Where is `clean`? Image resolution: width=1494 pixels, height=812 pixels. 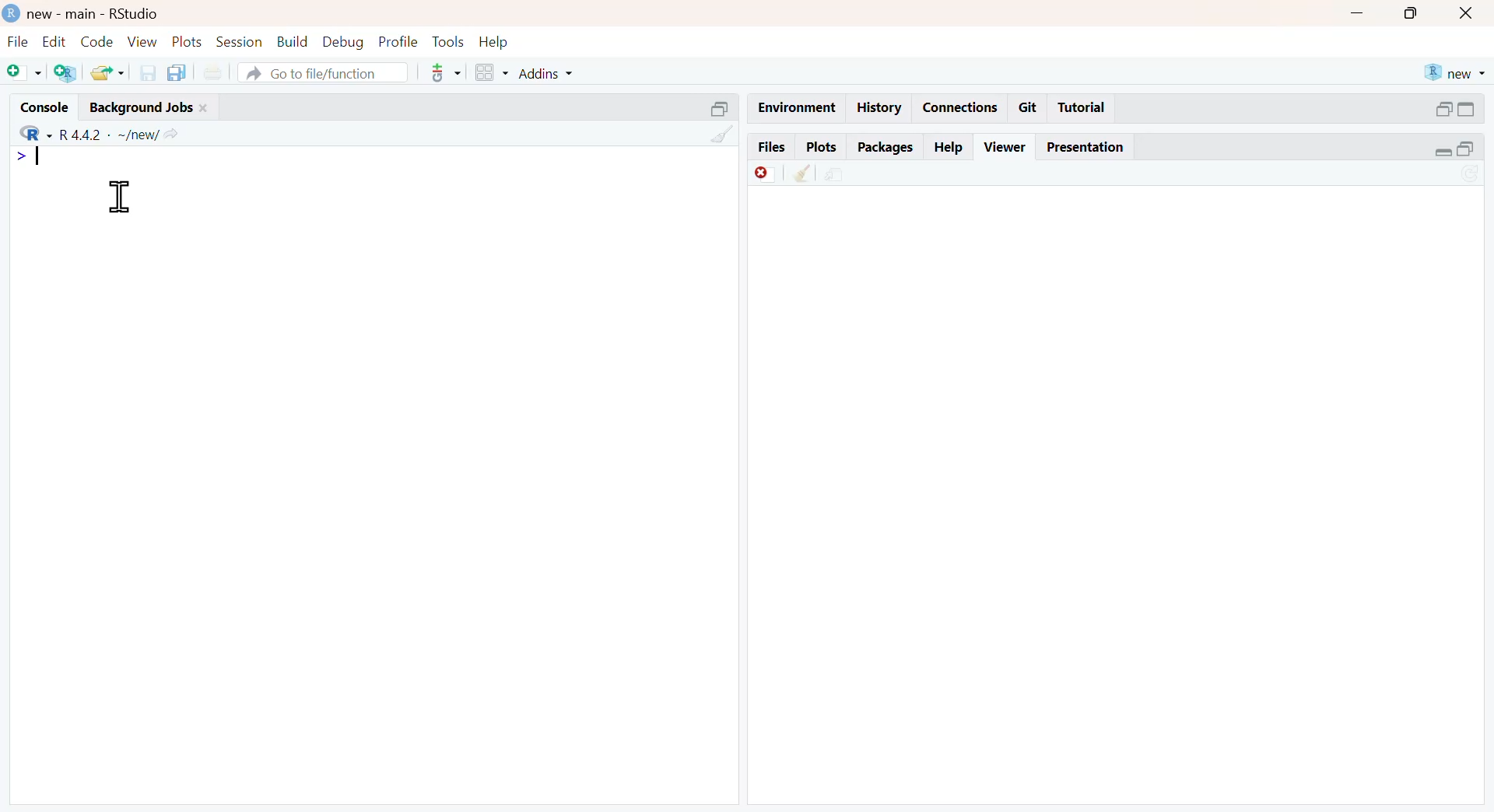 clean is located at coordinates (801, 174).